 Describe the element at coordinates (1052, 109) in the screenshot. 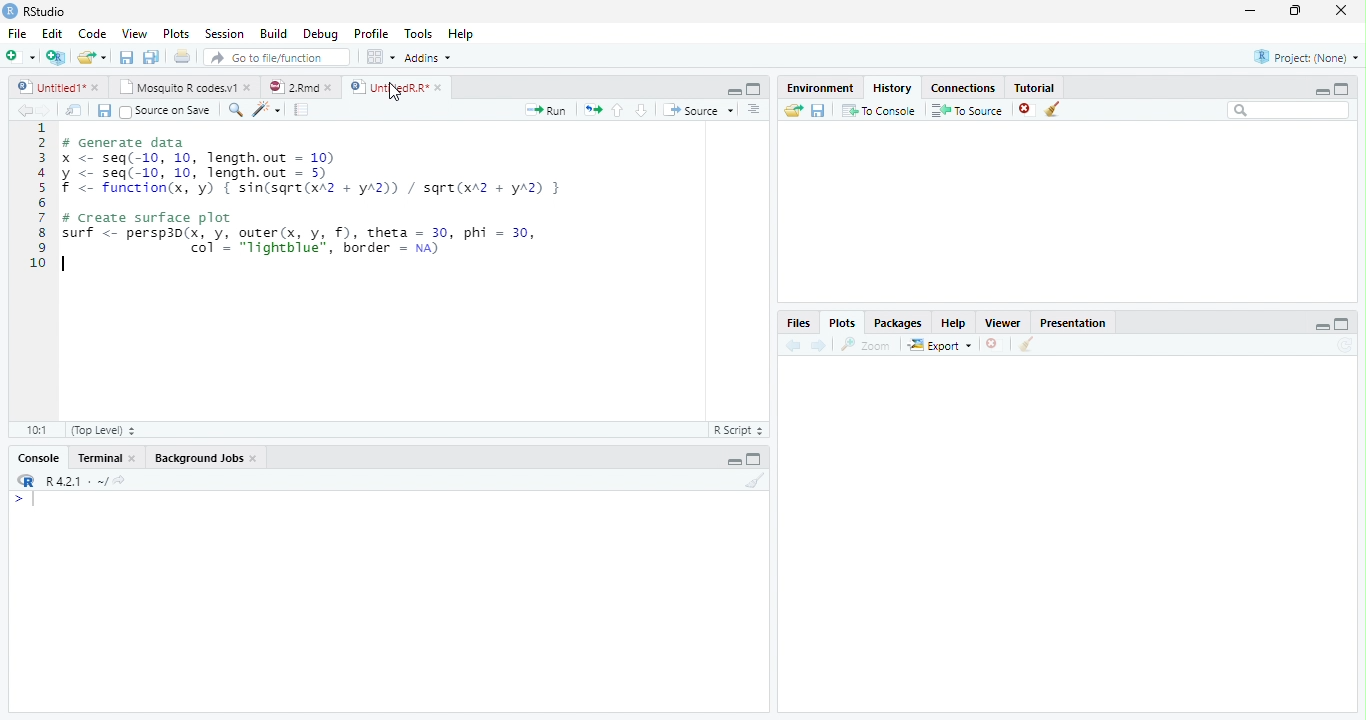

I see `Clear all history entries` at that location.